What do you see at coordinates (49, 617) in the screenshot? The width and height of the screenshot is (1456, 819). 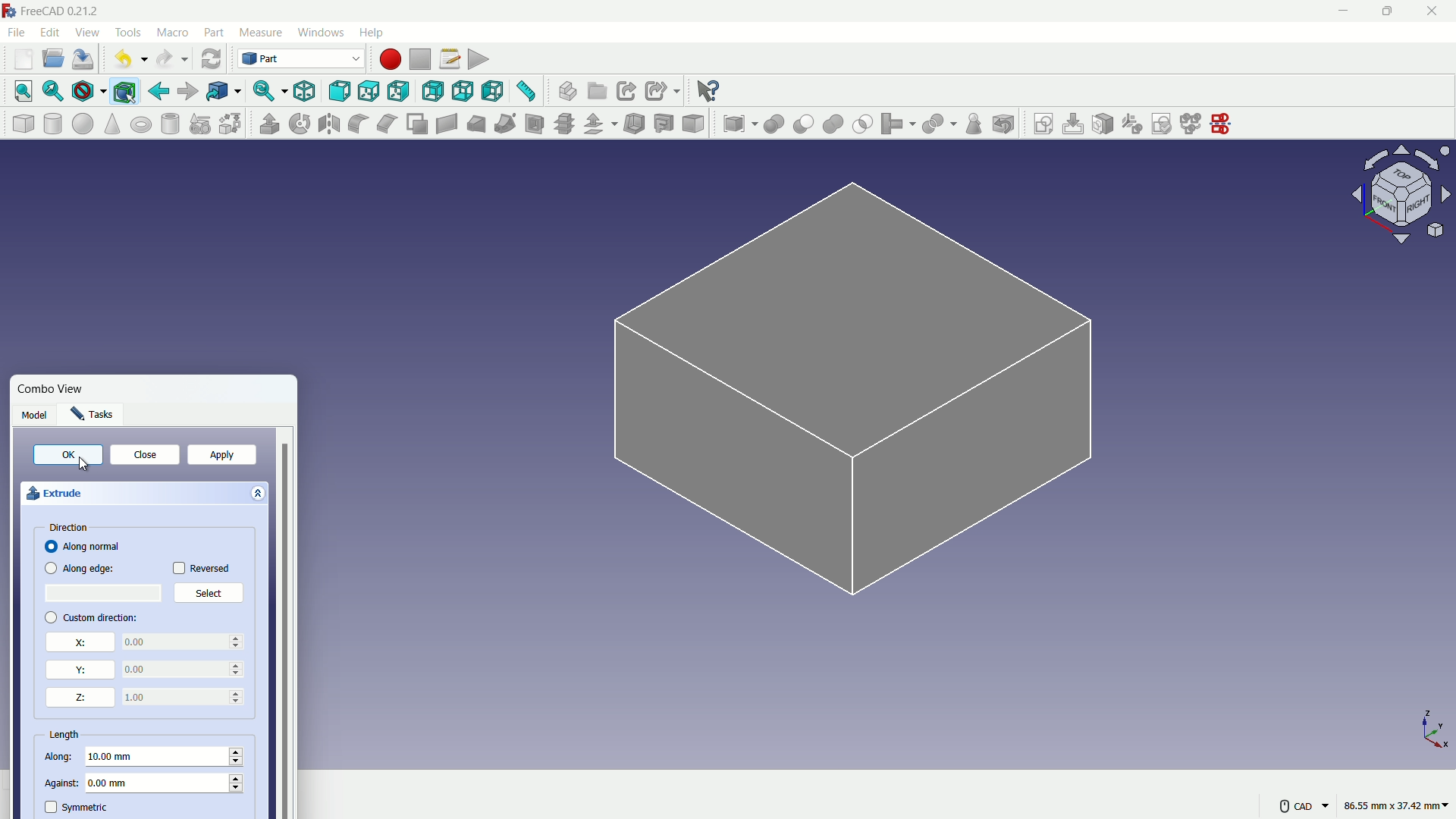 I see `checkbox` at bounding box center [49, 617].